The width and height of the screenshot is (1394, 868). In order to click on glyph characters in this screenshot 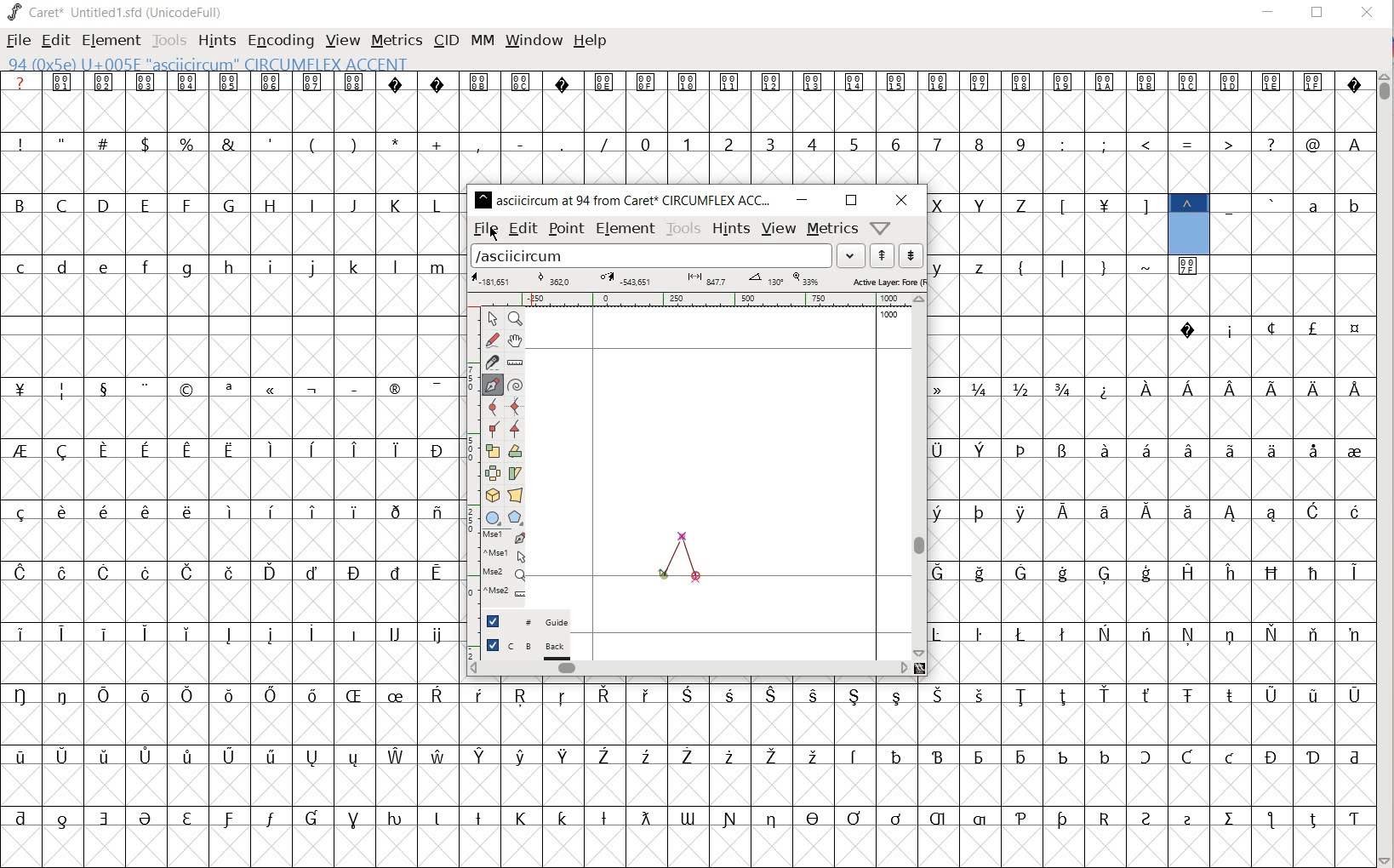, I will do `click(920, 774)`.